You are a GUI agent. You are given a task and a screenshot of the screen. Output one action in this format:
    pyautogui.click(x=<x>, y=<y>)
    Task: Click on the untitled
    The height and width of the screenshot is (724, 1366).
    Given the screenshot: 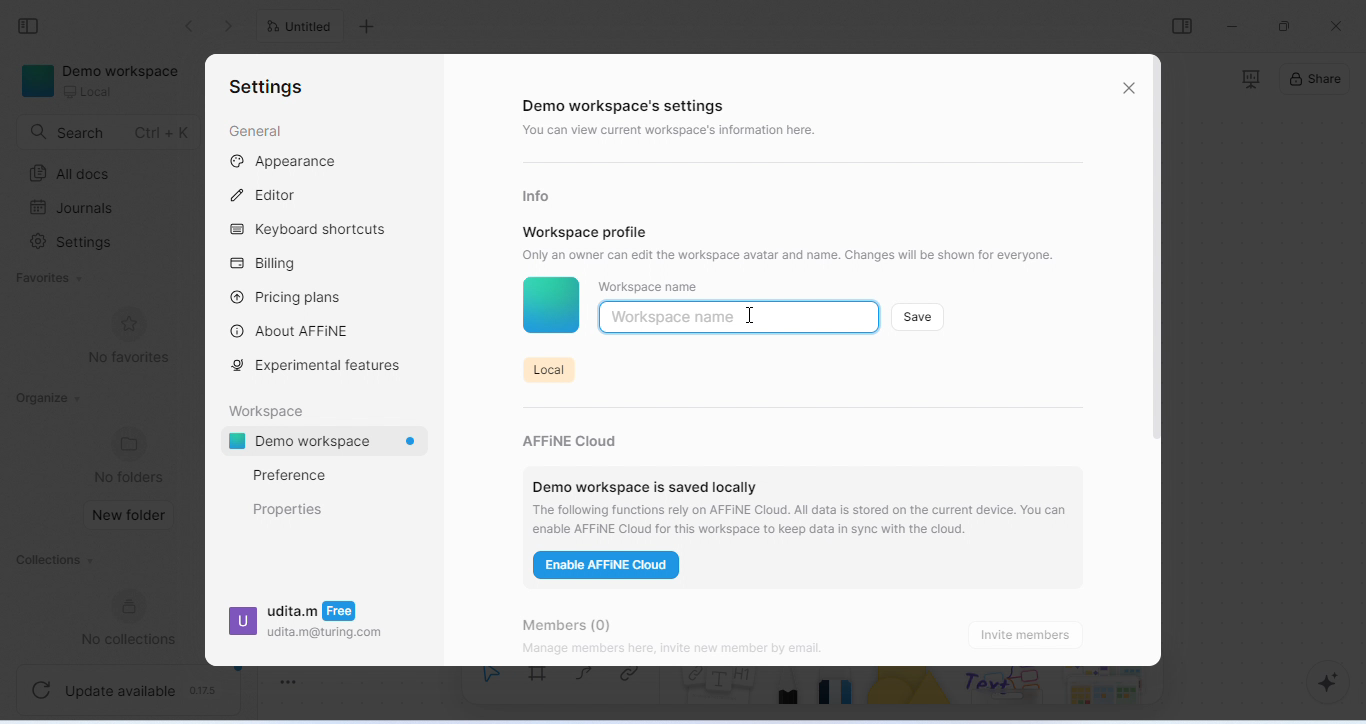 What is the action you would take?
    pyautogui.click(x=304, y=28)
    